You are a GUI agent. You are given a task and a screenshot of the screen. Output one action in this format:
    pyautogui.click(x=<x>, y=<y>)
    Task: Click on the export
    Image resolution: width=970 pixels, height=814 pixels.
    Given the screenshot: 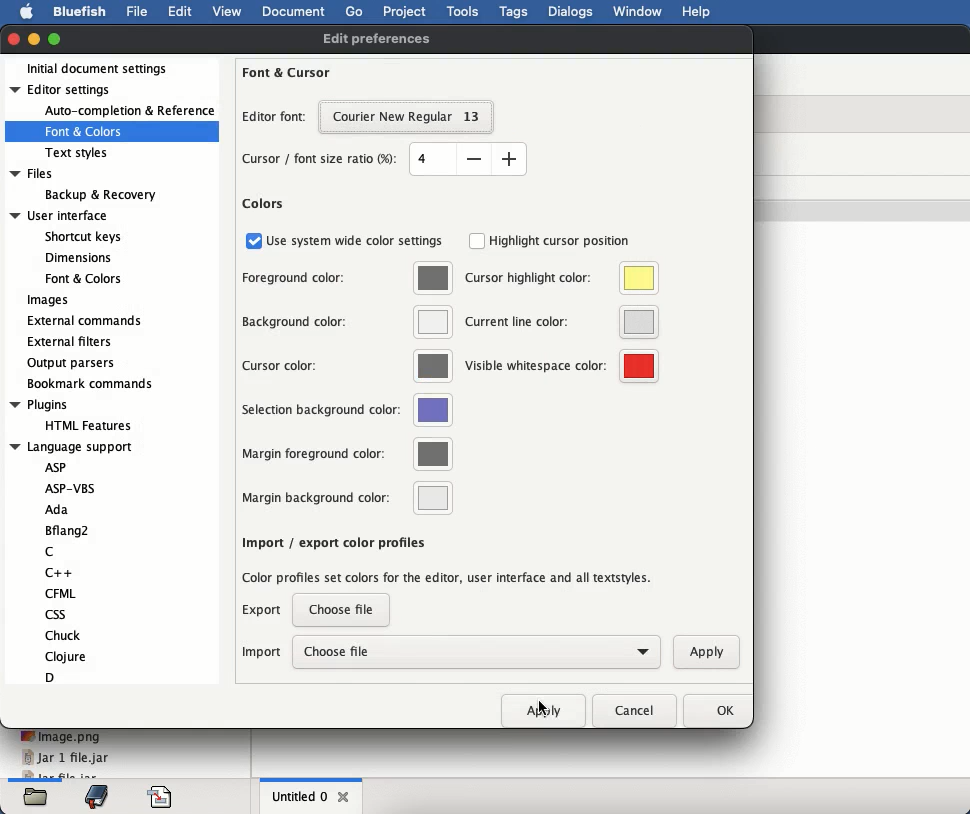 What is the action you would take?
    pyautogui.click(x=264, y=614)
    